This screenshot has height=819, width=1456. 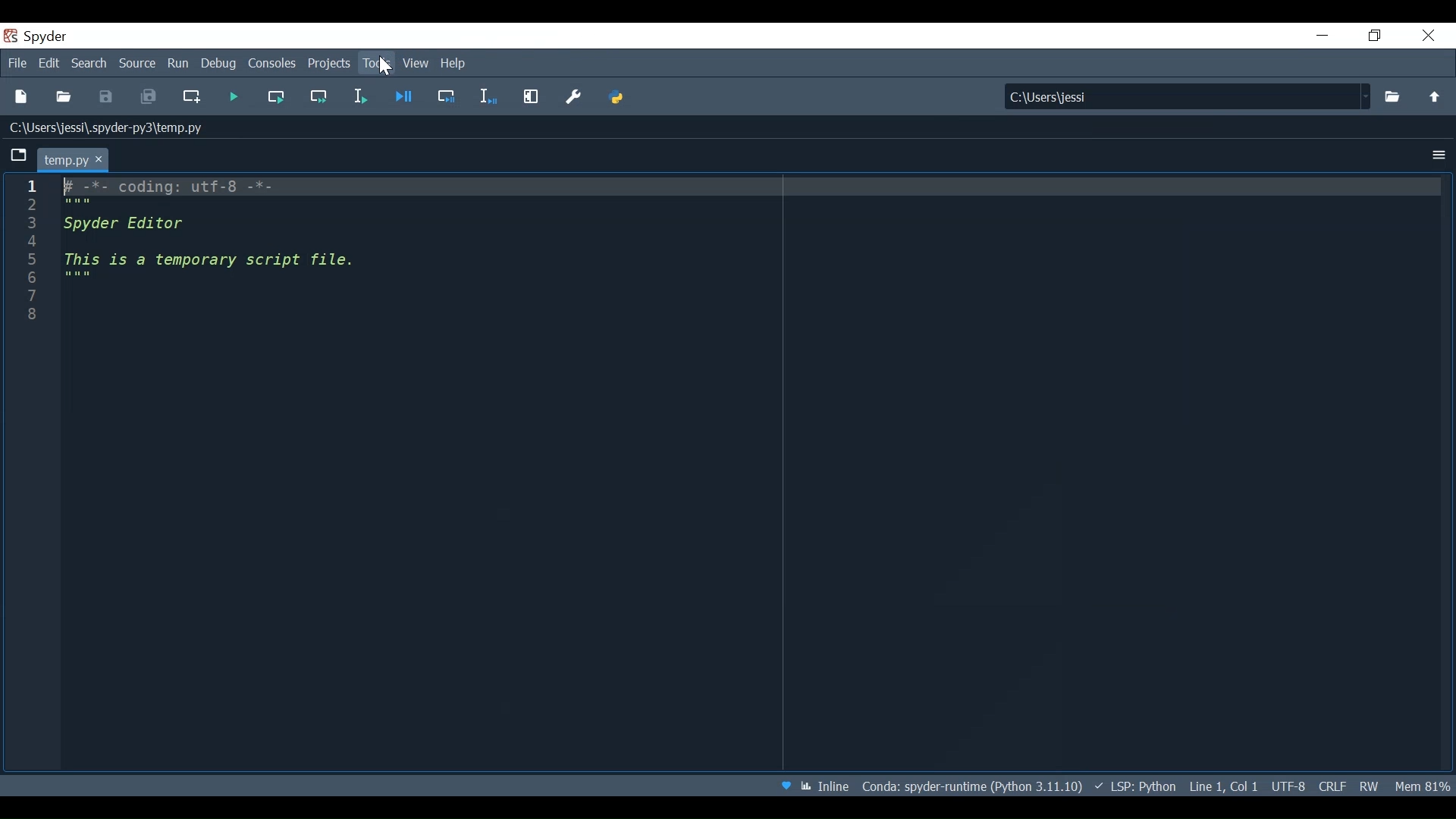 I want to click on Debug, so click(x=220, y=64).